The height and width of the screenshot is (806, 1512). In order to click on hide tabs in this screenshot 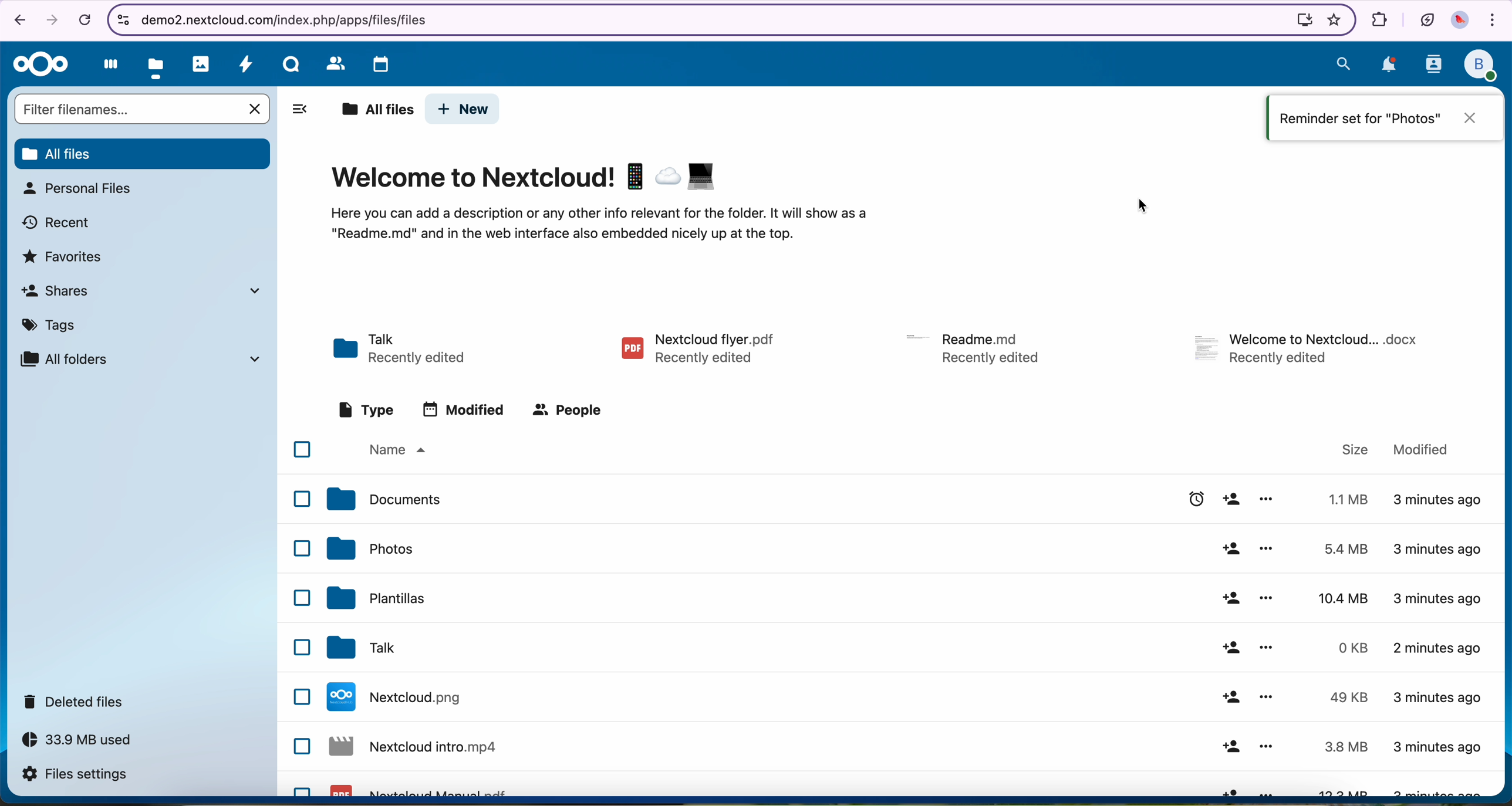, I will do `click(301, 110)`.